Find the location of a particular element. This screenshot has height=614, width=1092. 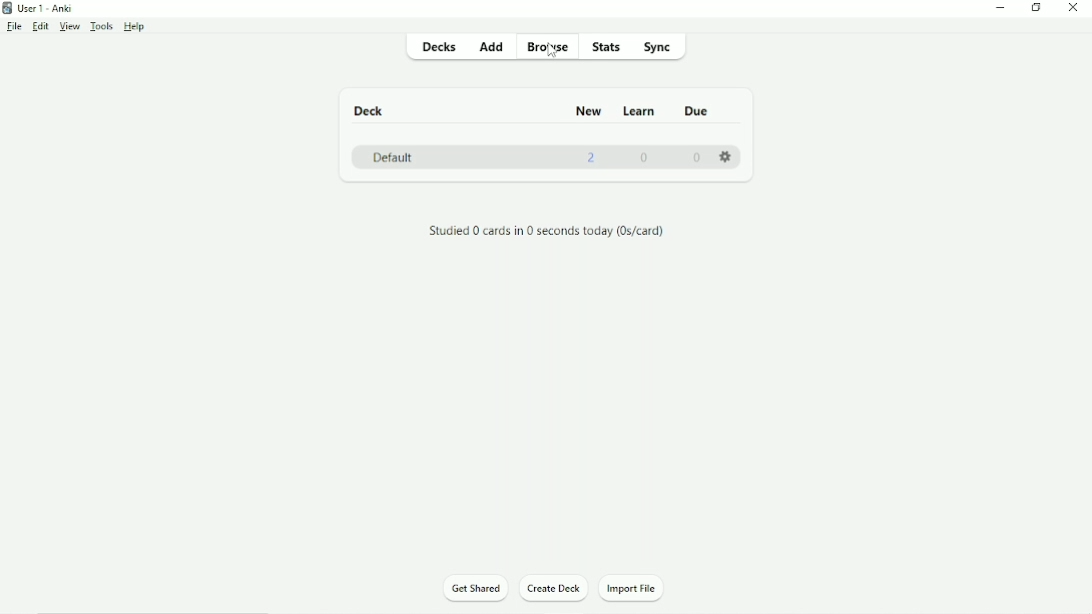

Deck is located at coordinates (369, 110).